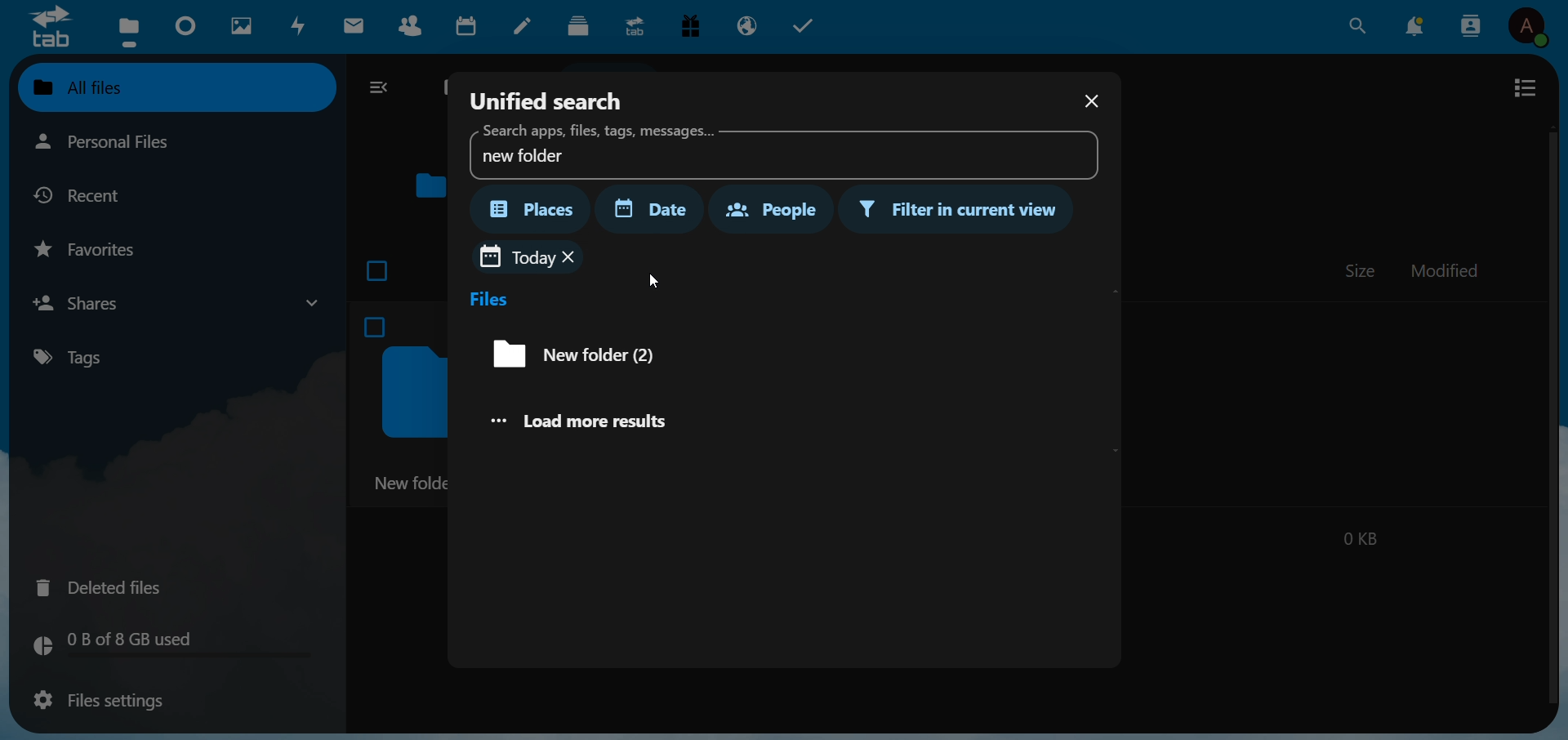 The width and height of the screenshot is (1568, 740). What do you see at coordinates (533, 209) in the screenshot?
I see `places` at bounding box center [533, 209].